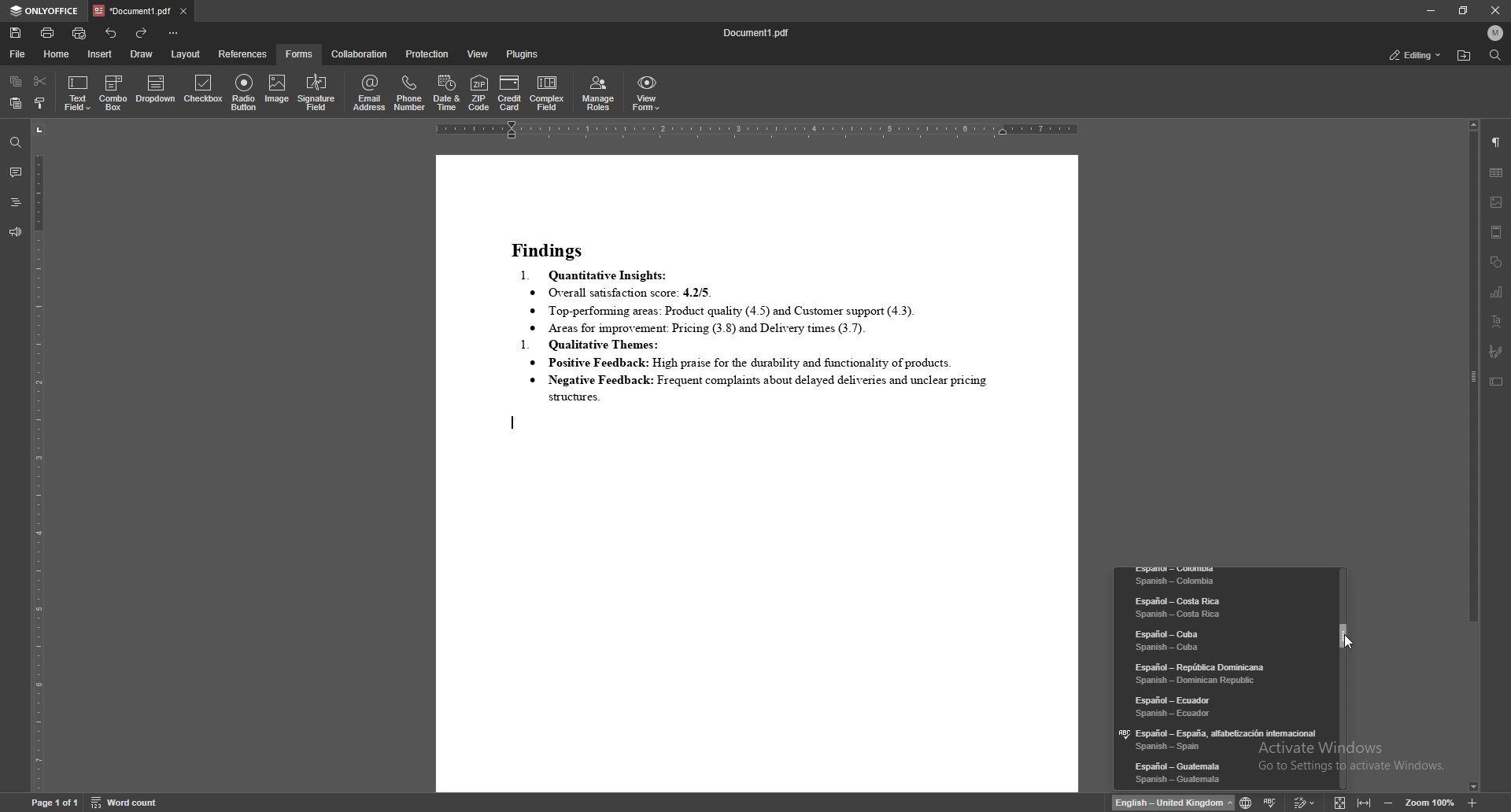 Image resolution: width=1511 pixels, height=812 pixels. I want to click on vertical scale, so click(38, 458).